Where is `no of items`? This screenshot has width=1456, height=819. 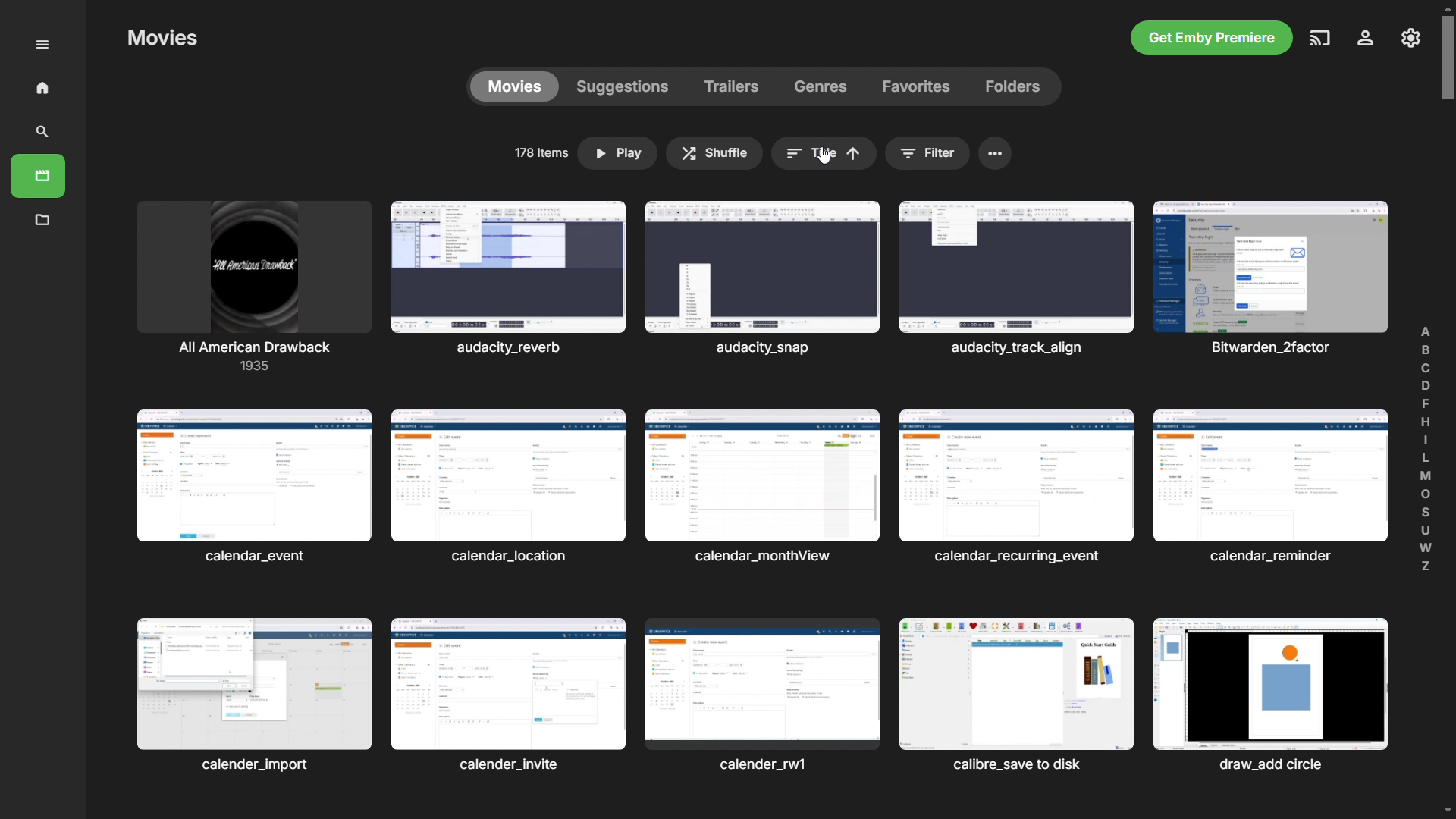
no of items is located at coordinates (539, 154).